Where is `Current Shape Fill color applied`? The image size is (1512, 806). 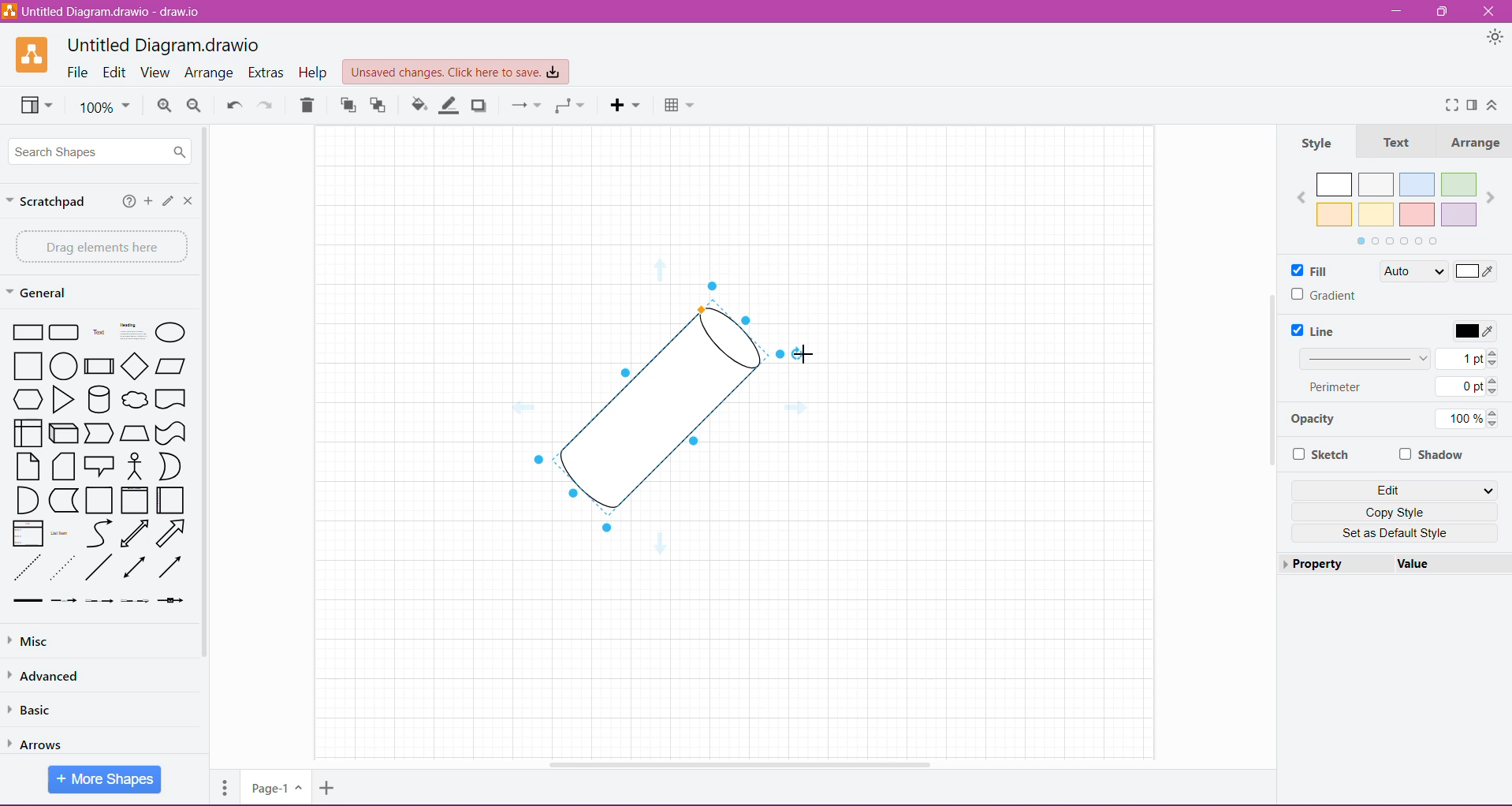 Current Shape Fill color applied is located at coordinates (1444, 272).